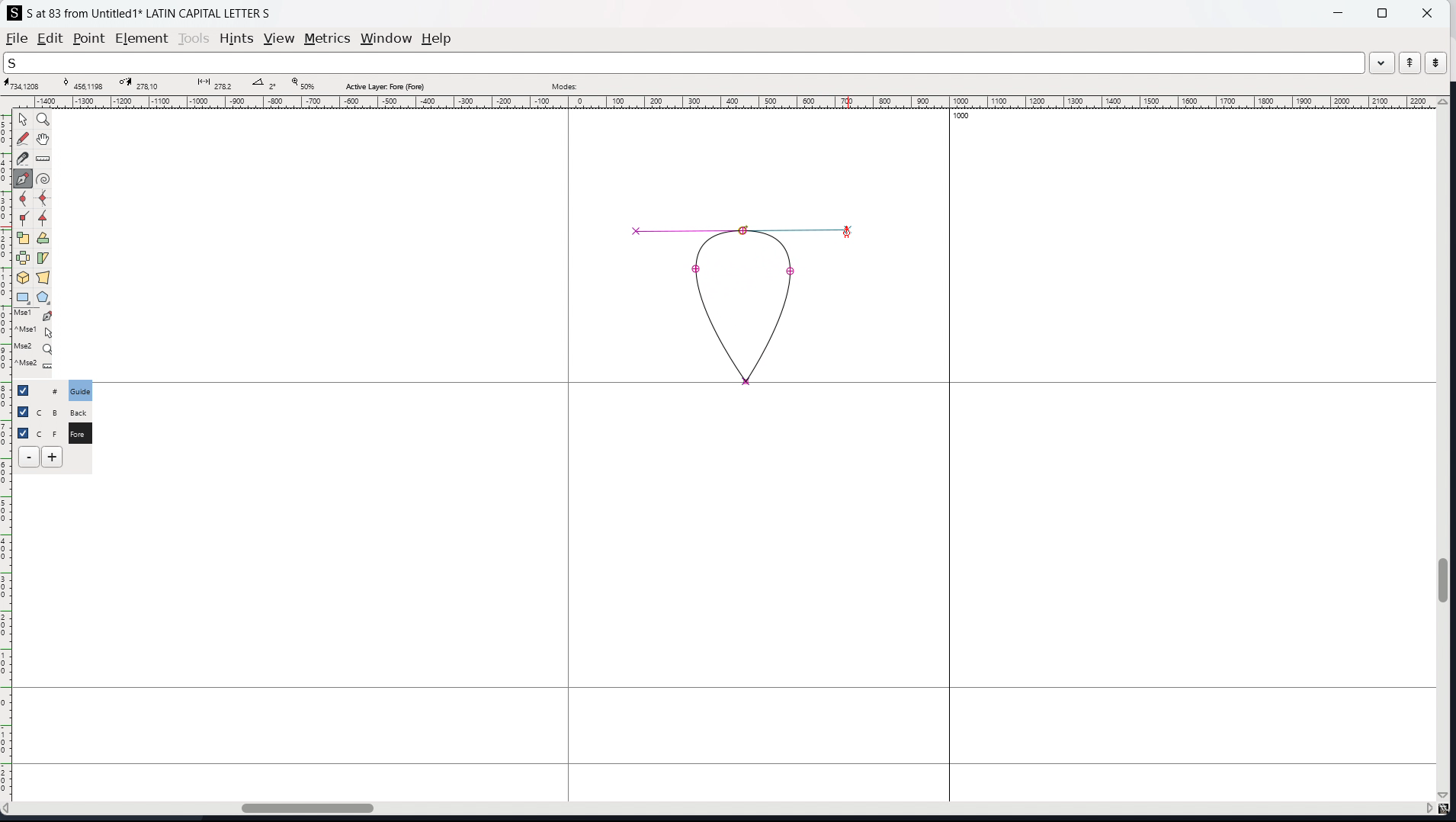 The width and height of the screenshot is (1456, 822). I want to click on zoom level, so click(303, 85).